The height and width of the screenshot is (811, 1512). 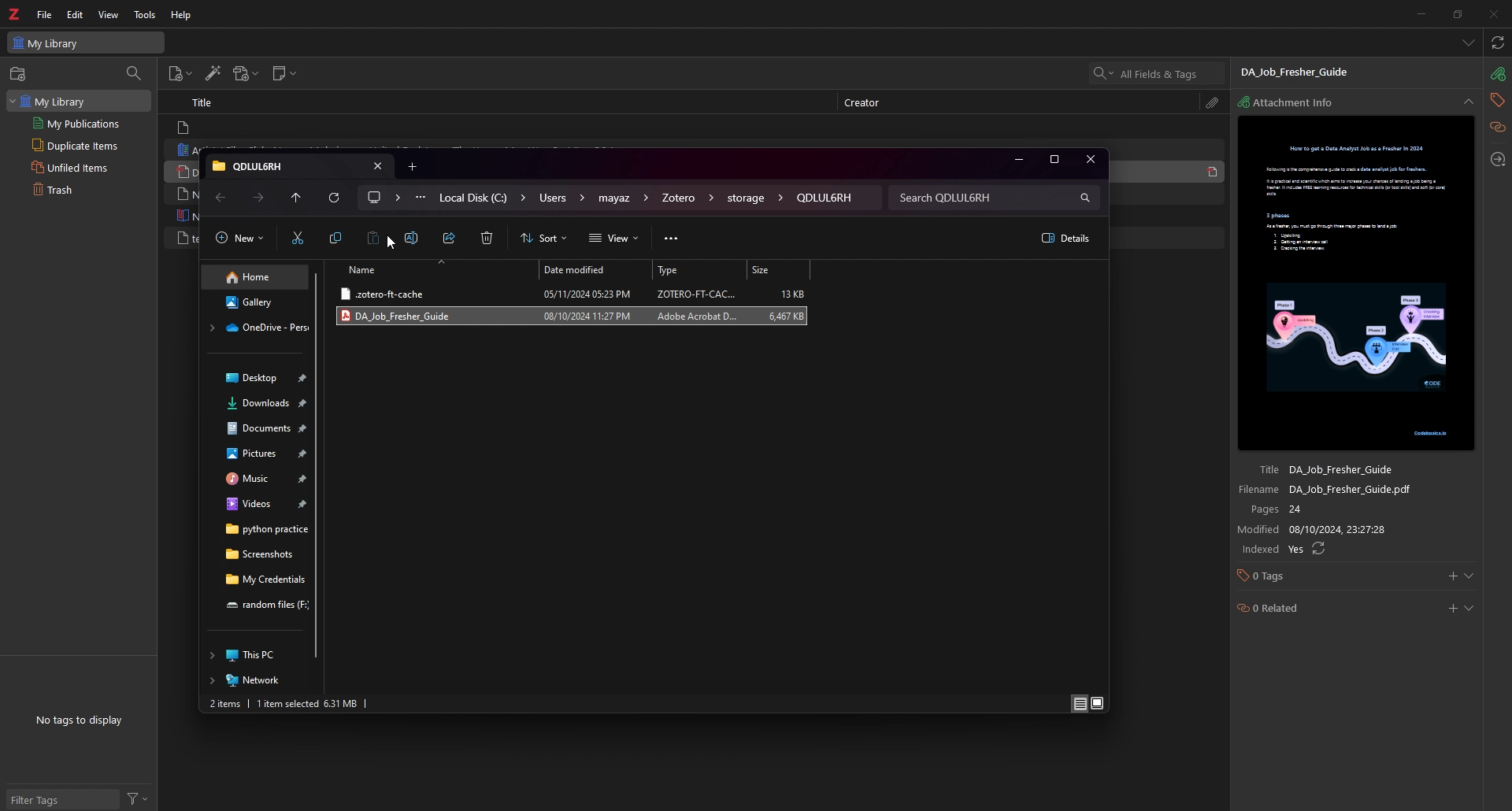 What do you see at coordinates (258, 504) in the screenshot?
I see `videos` at bounding box center [258, 504].